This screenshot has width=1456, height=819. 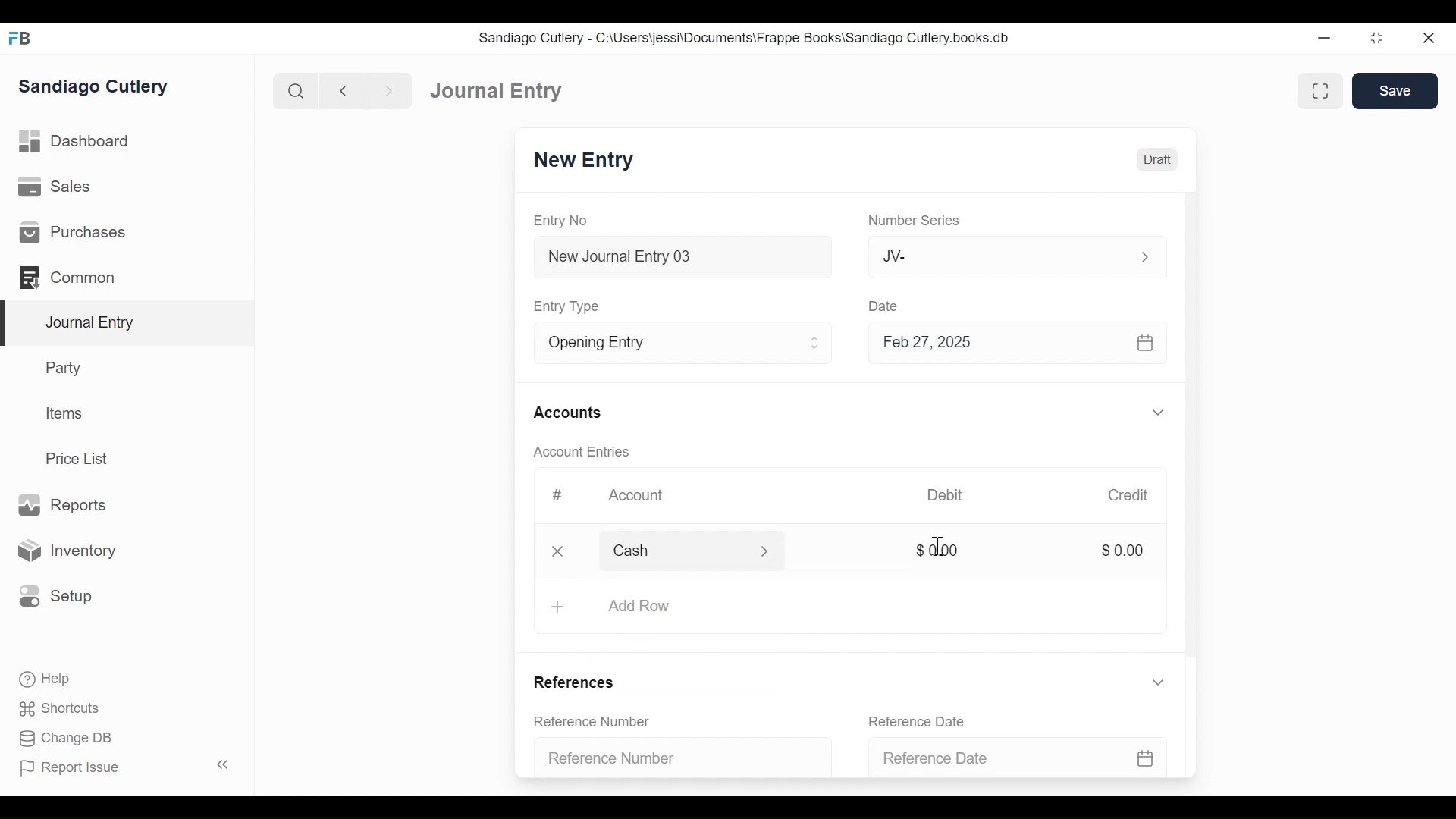 What do you see at coordinates (558, 494) in the screenshot?
I see `#` at bounding box center [558, 494].